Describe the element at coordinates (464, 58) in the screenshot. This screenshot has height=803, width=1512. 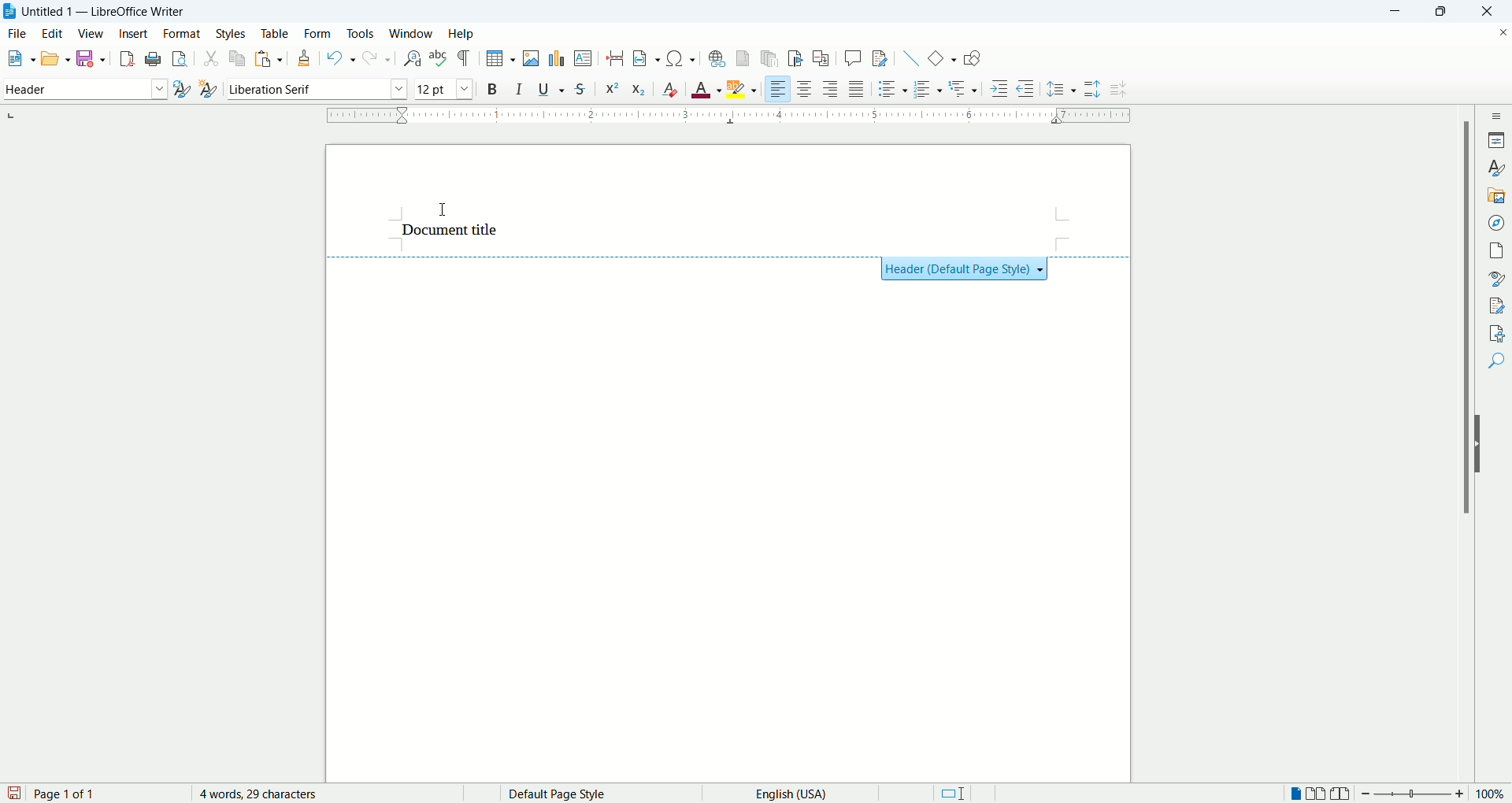
I see `formatting marks` at that location.